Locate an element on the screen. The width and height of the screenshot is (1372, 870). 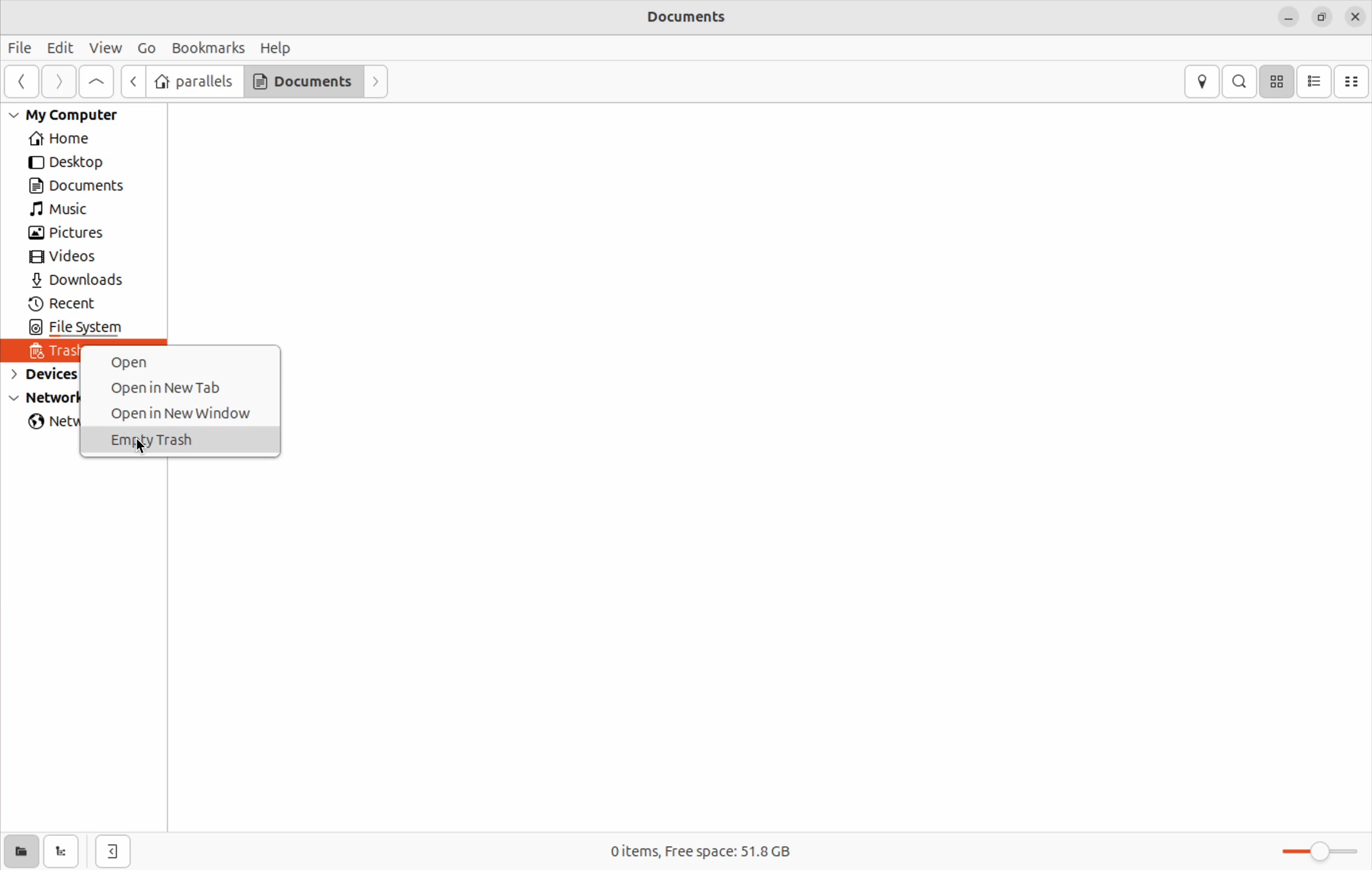
Forward is located at coordinates (58, 81).